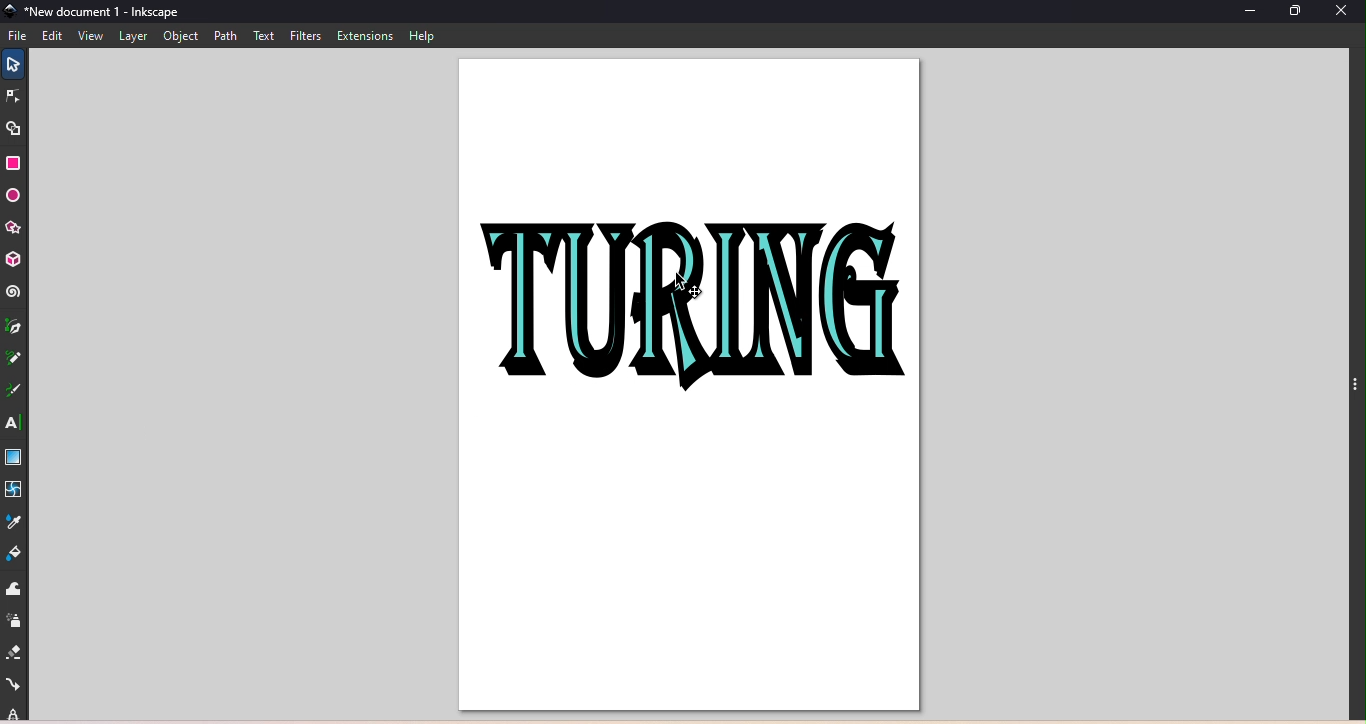  What do you see at coordinates (17, 520) in the screenshot?
I see `Dropper tool` at bounding box center [17, 520].